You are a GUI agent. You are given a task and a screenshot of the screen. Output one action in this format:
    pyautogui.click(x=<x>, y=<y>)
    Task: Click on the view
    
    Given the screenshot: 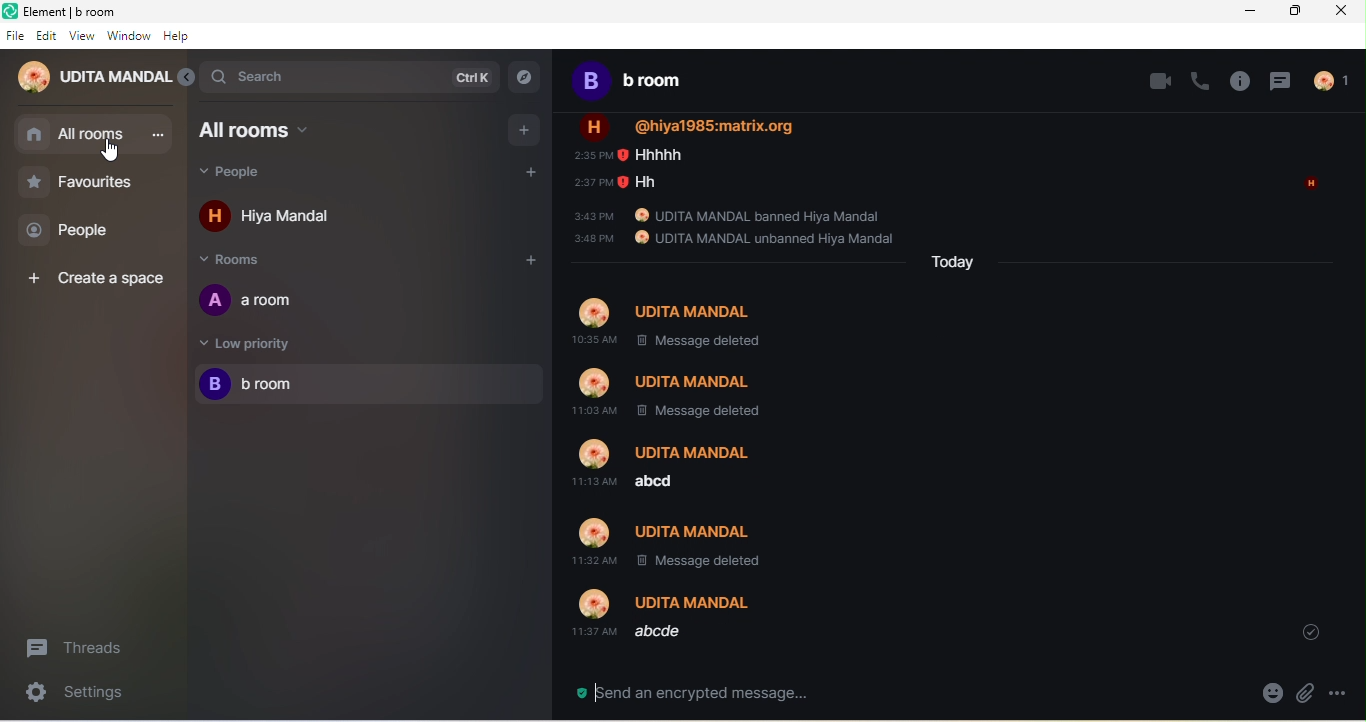 What is the action you would take?
    pyautogui.click(x=82, y=38)
    